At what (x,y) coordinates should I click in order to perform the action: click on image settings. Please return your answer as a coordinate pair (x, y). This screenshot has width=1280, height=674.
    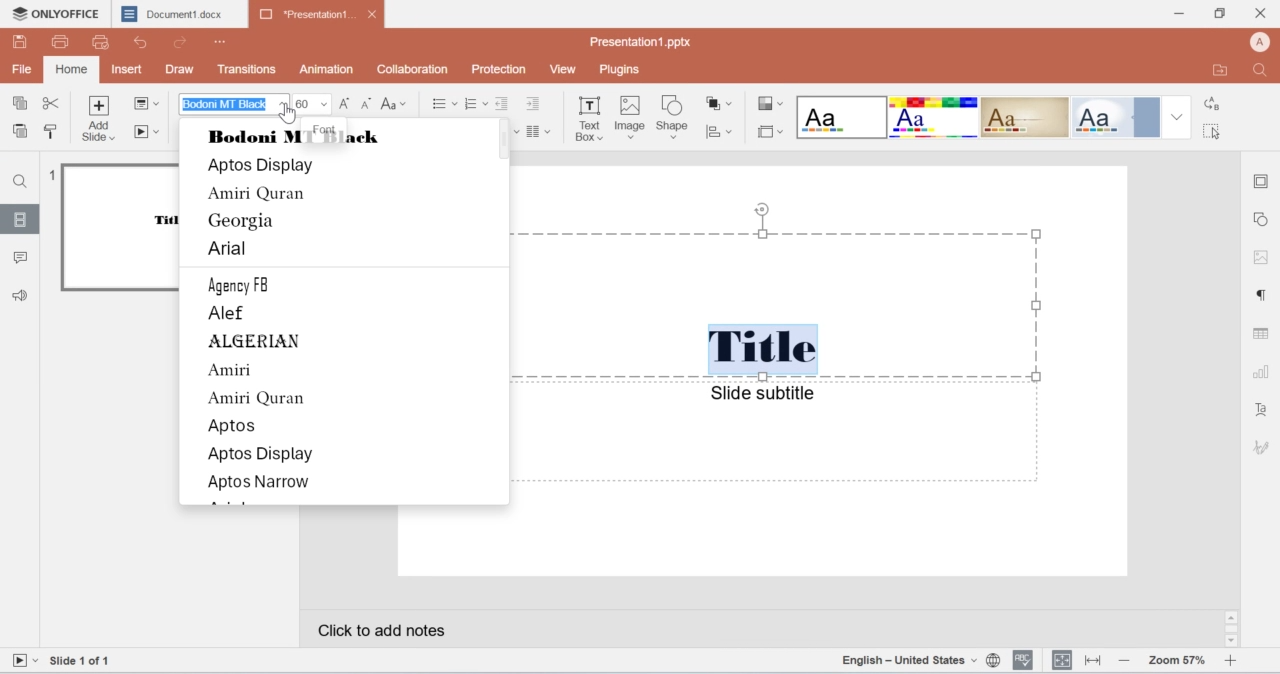
    Looking at the image, I should click on (1258, 256).